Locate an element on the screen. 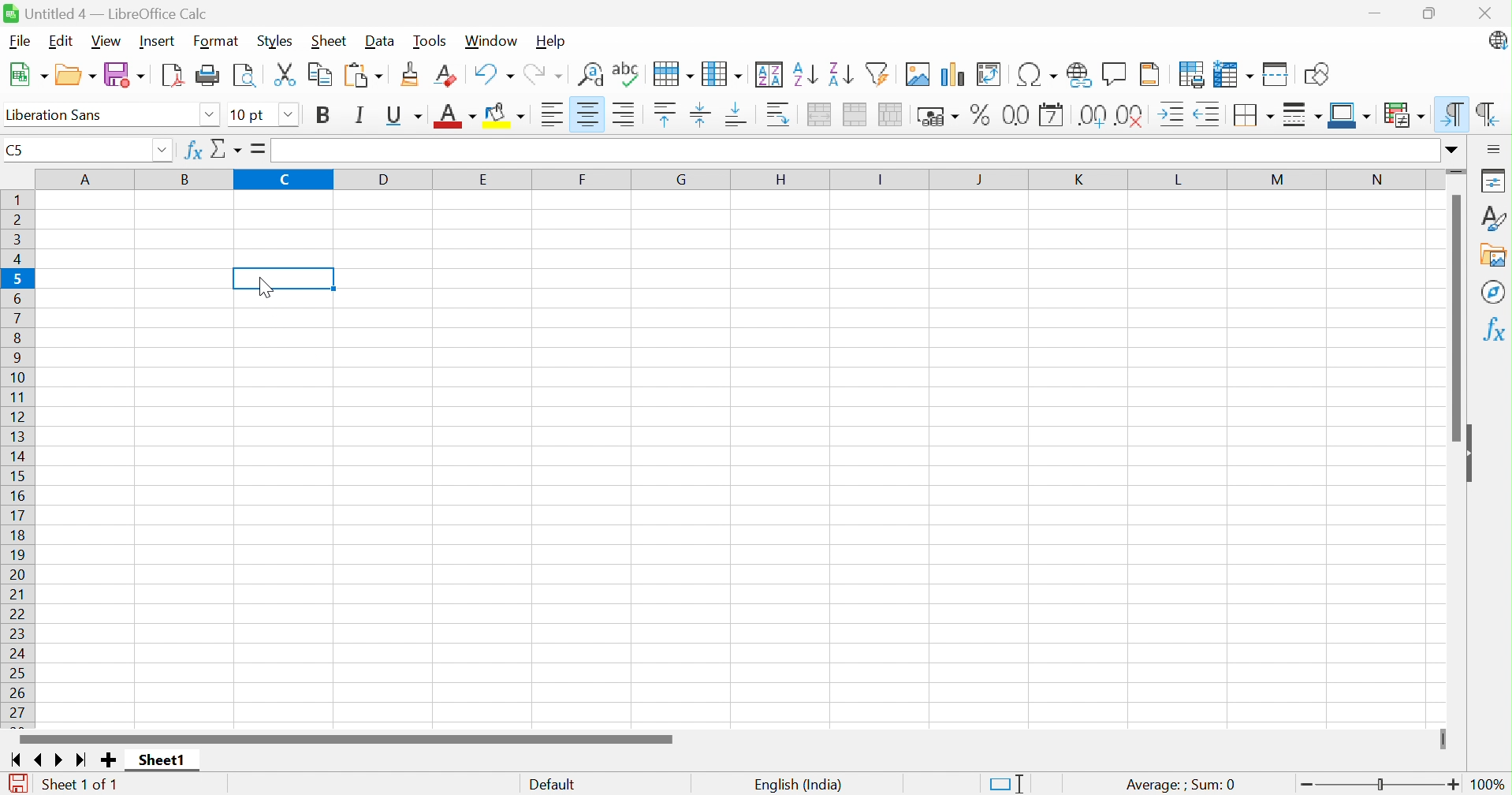 The height and width of the screenshot is (795, 1512). Default is located at coordinates (554, 782).